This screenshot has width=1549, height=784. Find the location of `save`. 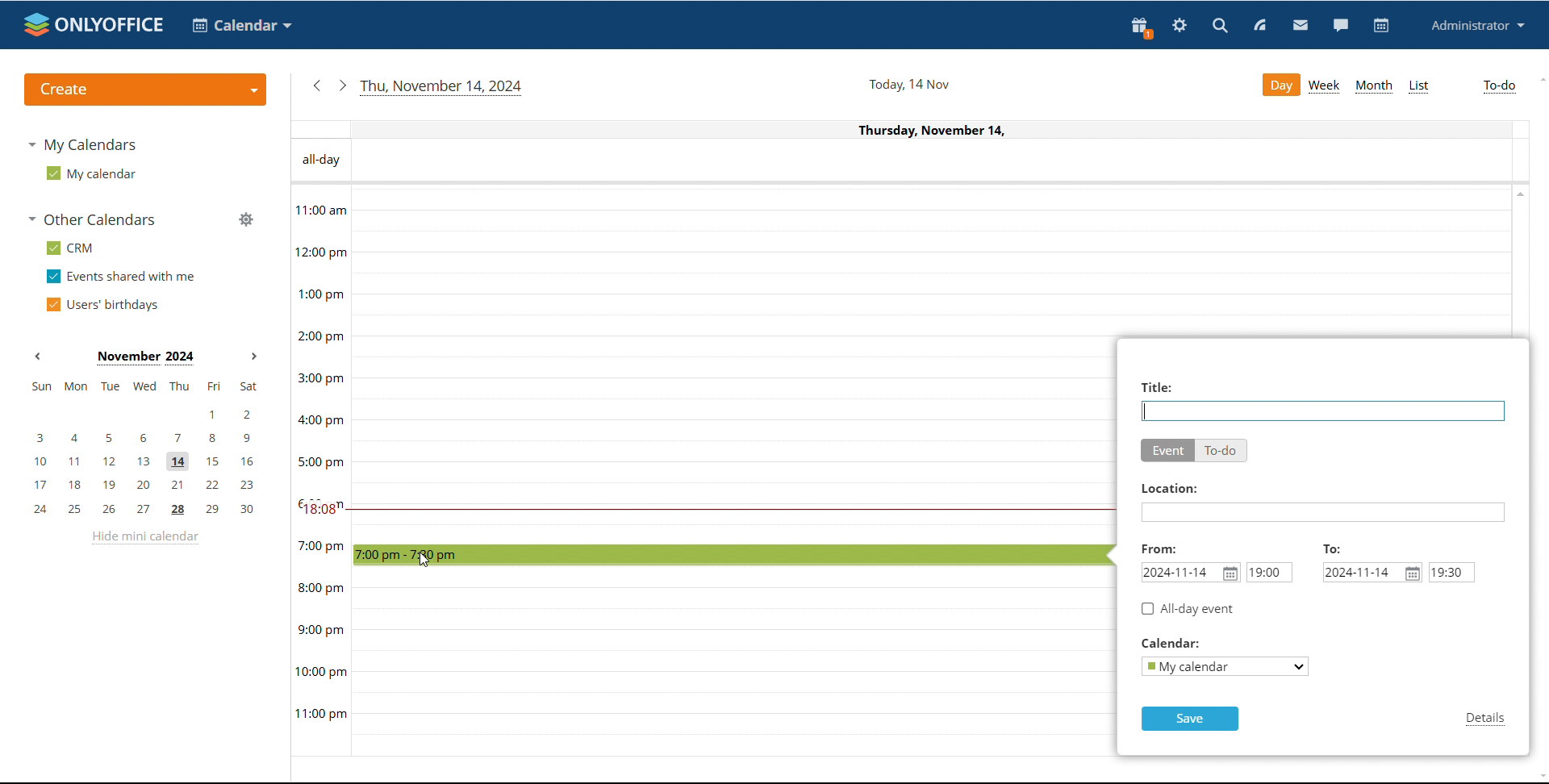

save is located at coordinates (1191, 719).